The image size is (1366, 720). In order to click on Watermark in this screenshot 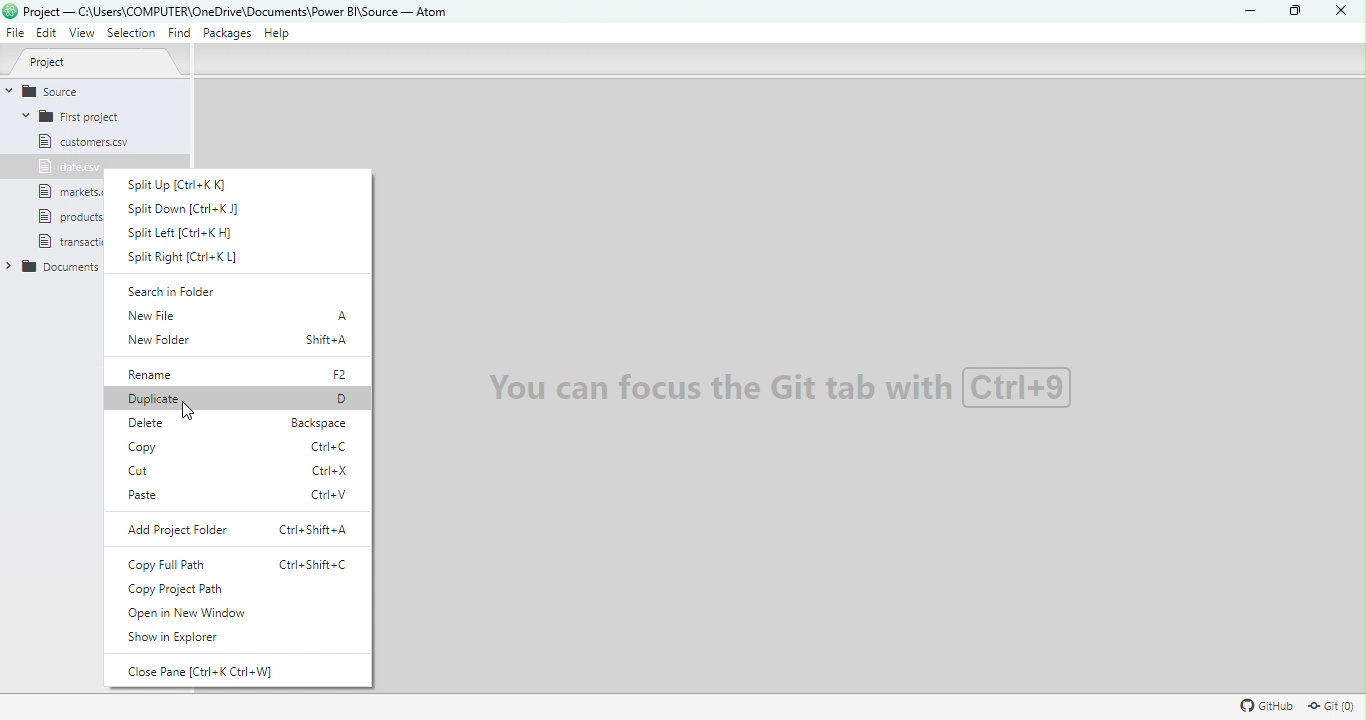, I will do `click(778, 386)`.